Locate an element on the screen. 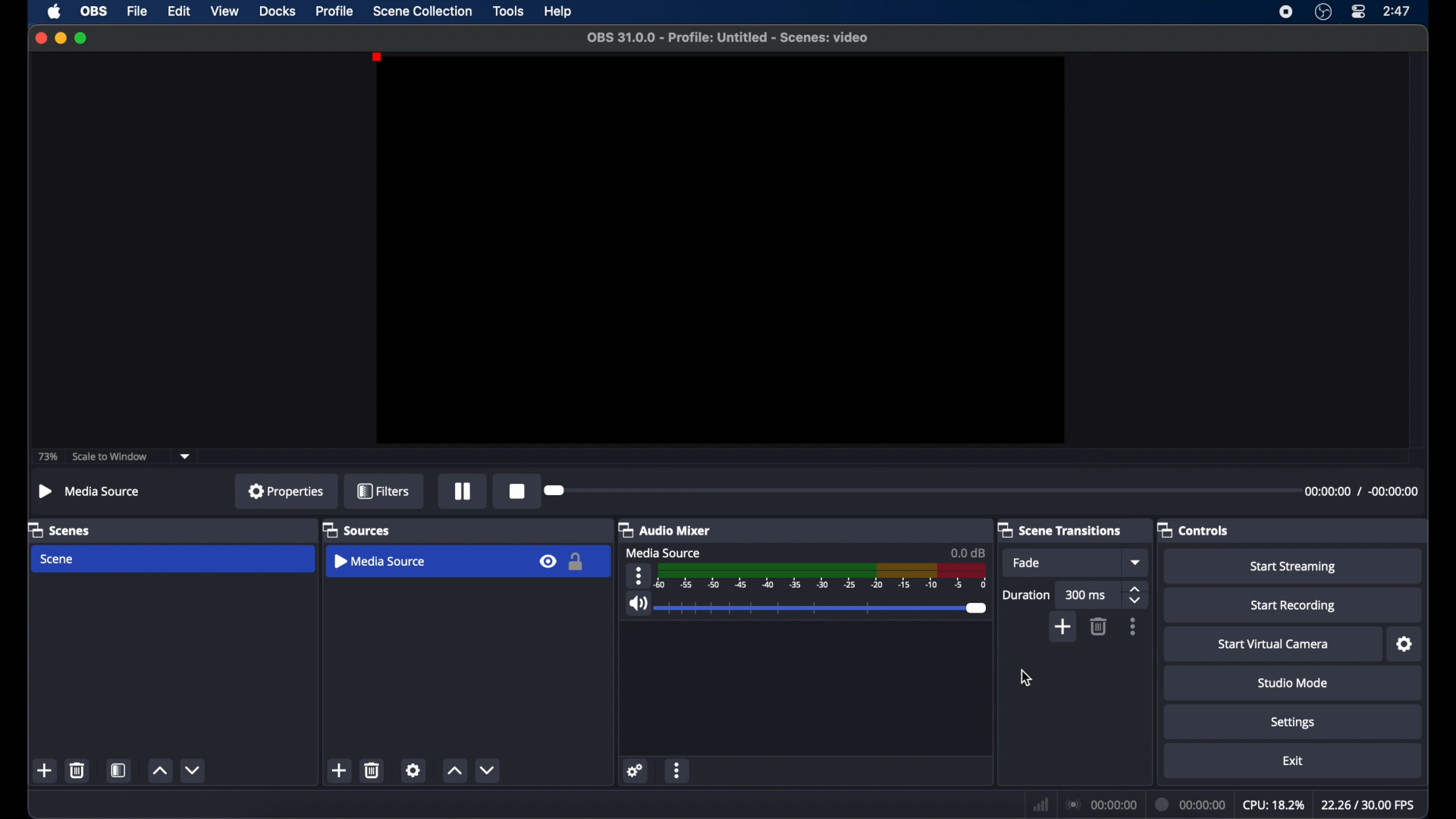 The height and width of the screenshot is (819, 1456). minimize is located at coordinates (59, 38).